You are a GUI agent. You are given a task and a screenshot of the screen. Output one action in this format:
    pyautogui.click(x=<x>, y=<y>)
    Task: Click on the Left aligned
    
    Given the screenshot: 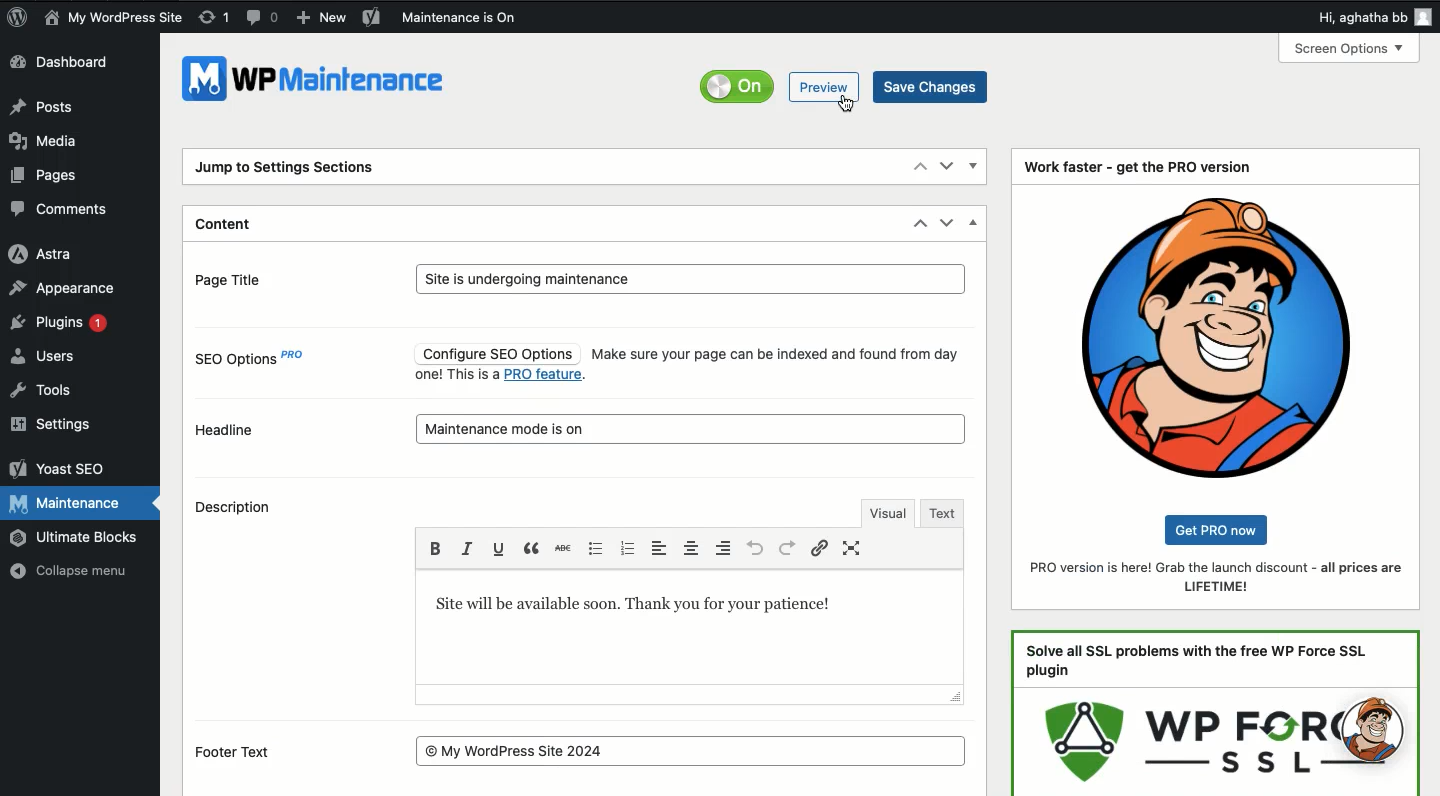 What is the action you would take?
    pyautogui.click(x=725, y=547)
    